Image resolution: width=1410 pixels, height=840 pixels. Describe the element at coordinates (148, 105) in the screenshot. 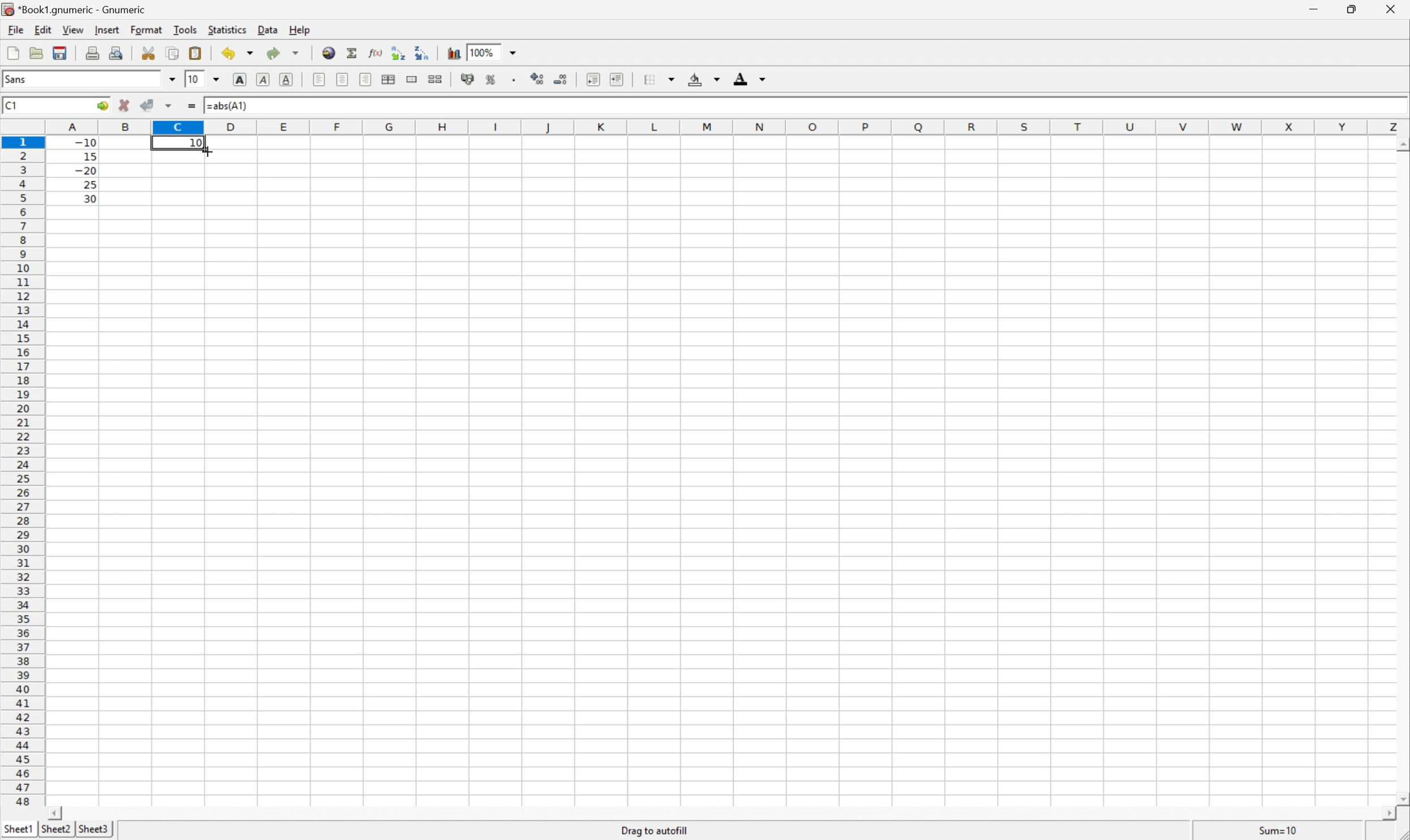

I see `Accept change` at that location.